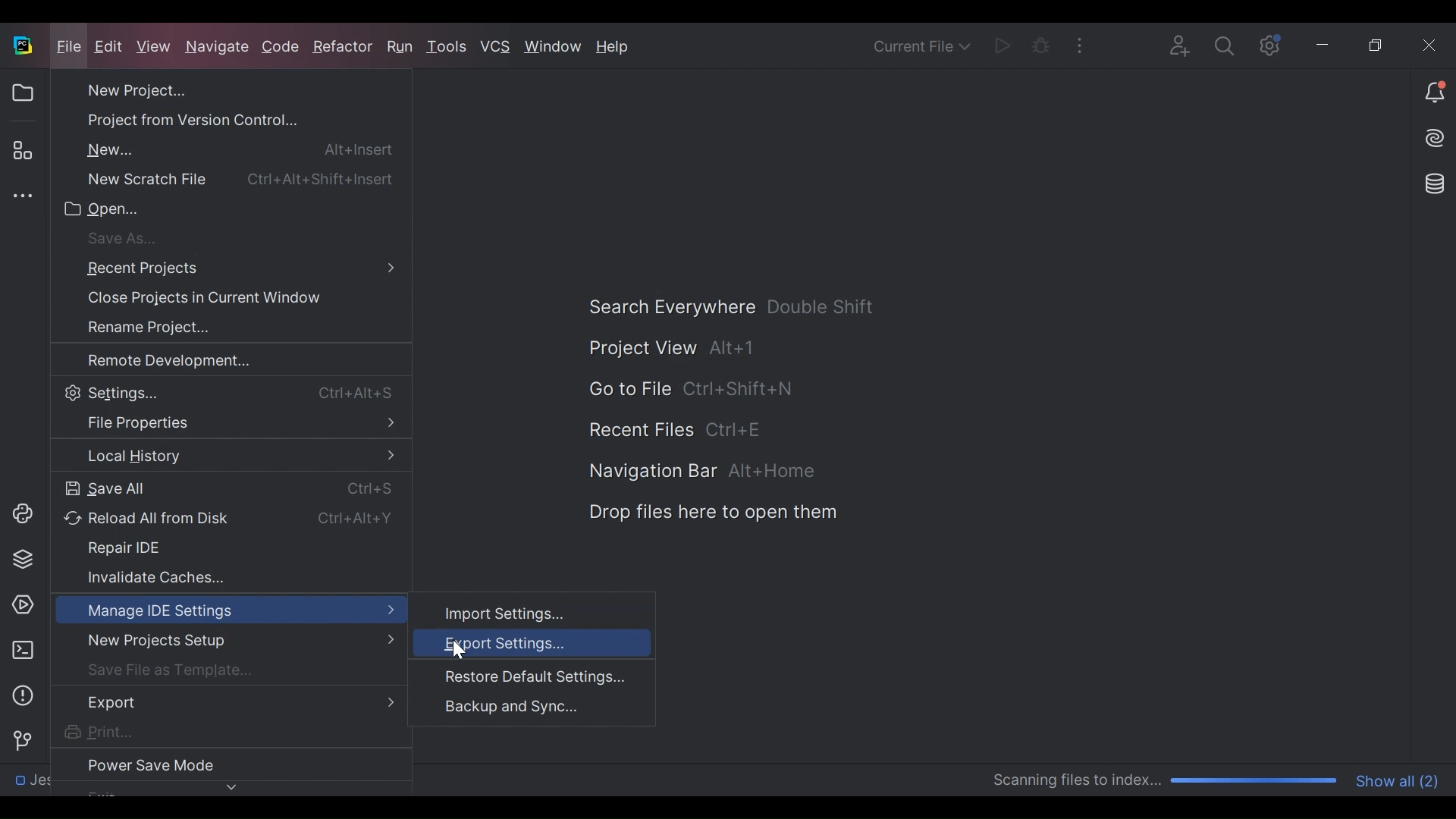  Describe the element at coordinates (1266, 44) in the screenshot. I see `Settings` at that location.